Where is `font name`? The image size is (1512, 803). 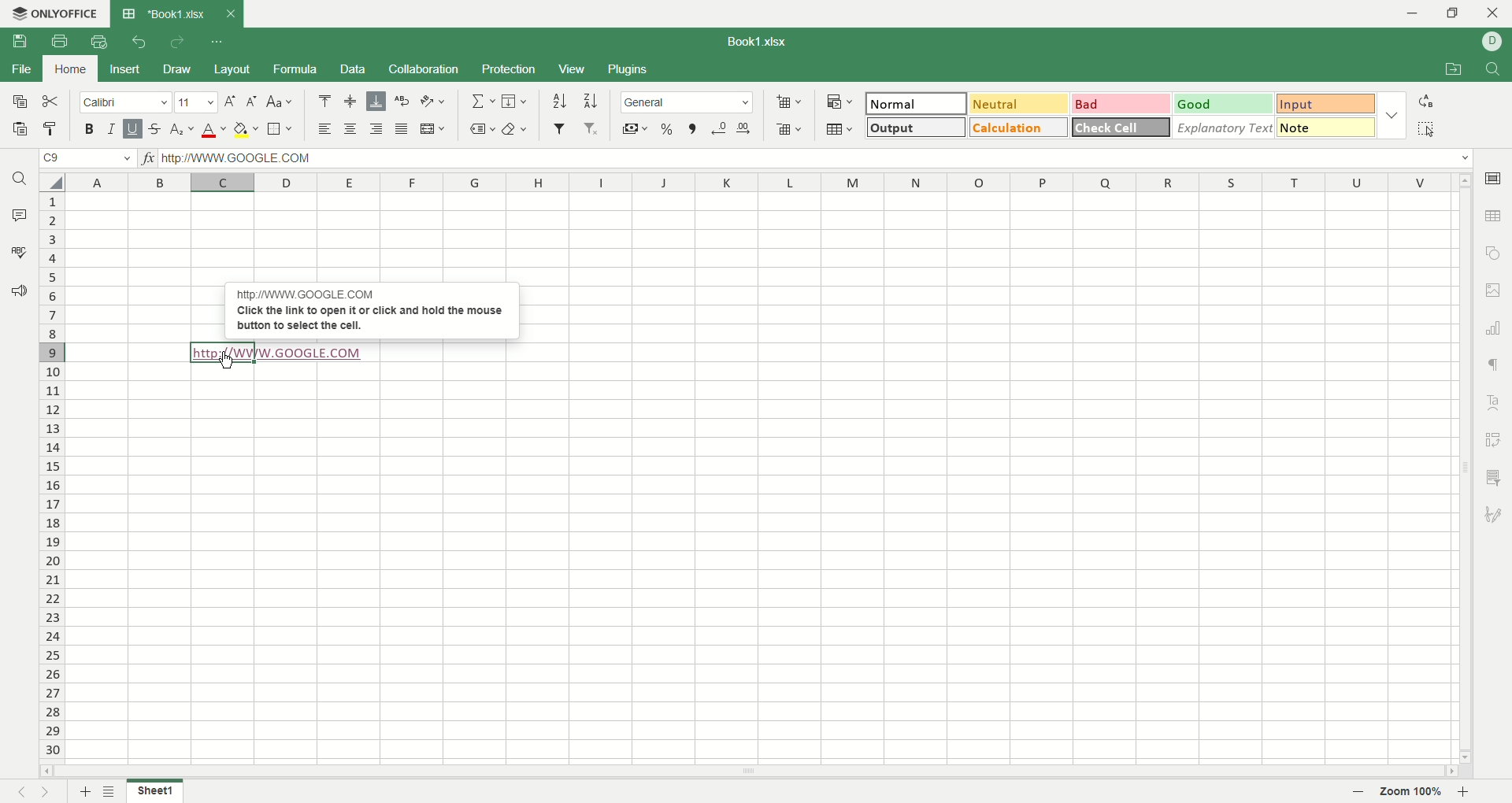
font name is located at coordinates (126, 104).